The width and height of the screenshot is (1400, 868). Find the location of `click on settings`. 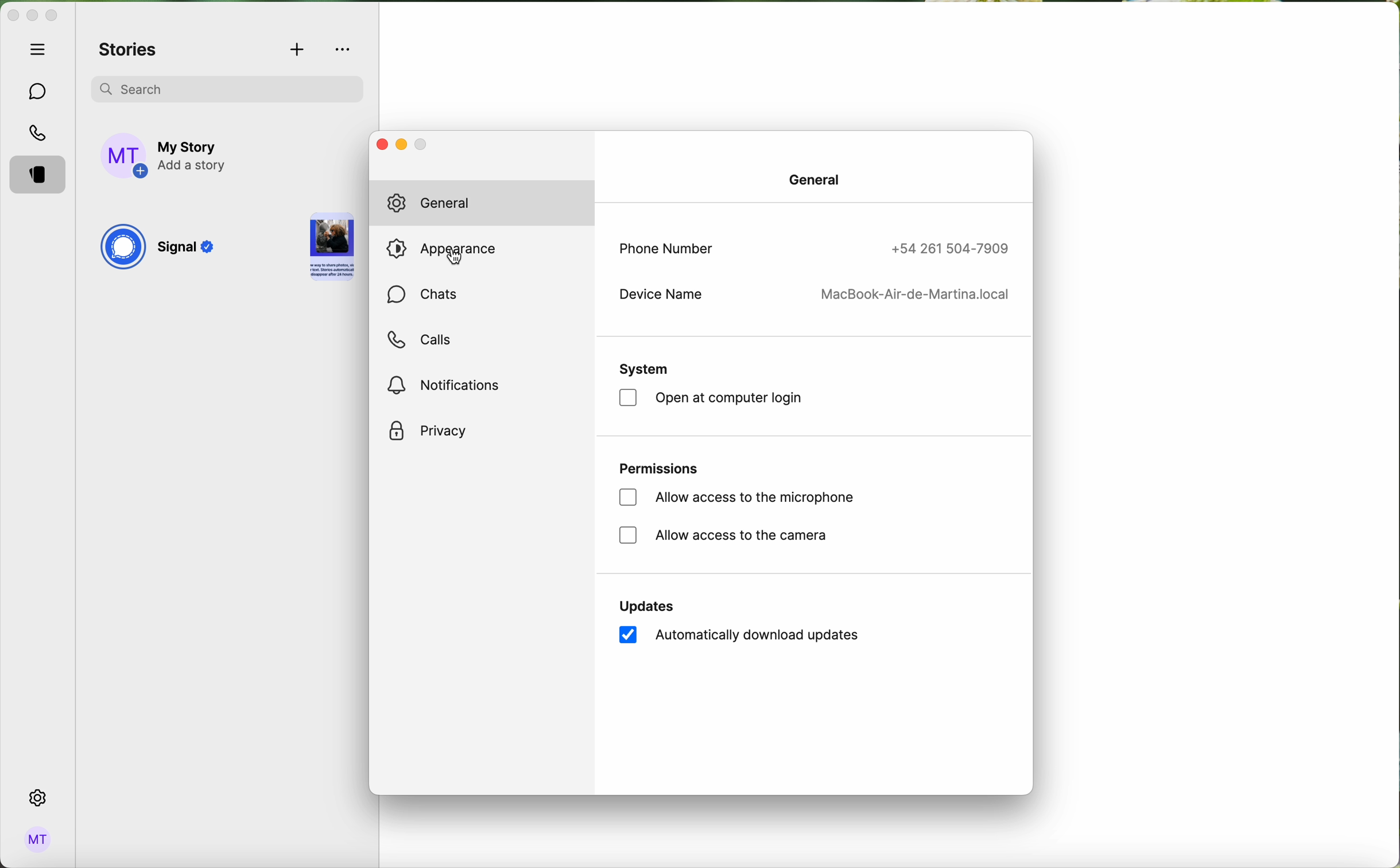

click on settings is located at coordinates (38, 799).